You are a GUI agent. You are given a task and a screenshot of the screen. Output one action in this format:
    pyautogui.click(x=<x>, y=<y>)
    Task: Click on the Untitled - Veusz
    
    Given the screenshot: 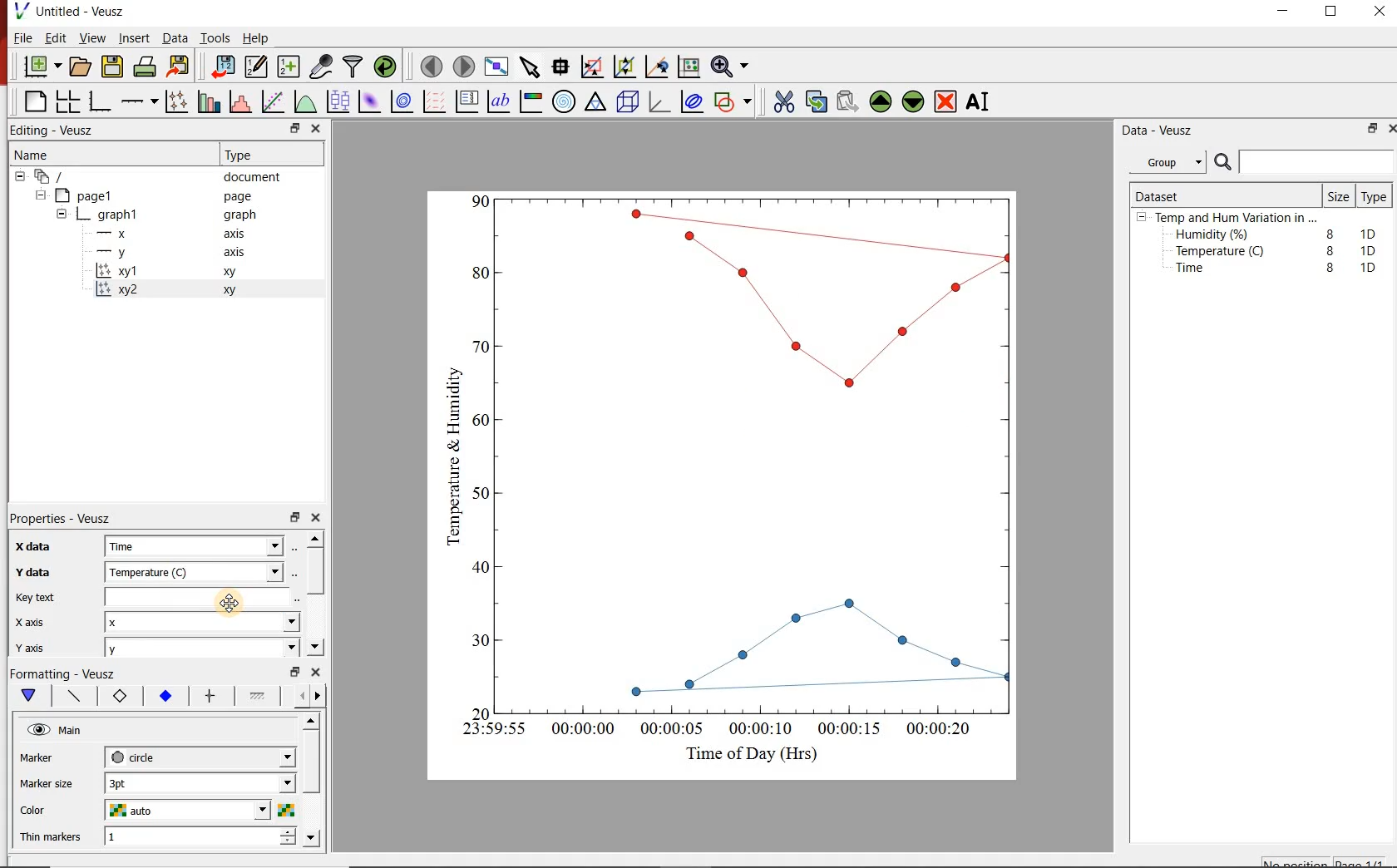 What is the action you would take?
    pyautogui.click(x=74, y=11)
    